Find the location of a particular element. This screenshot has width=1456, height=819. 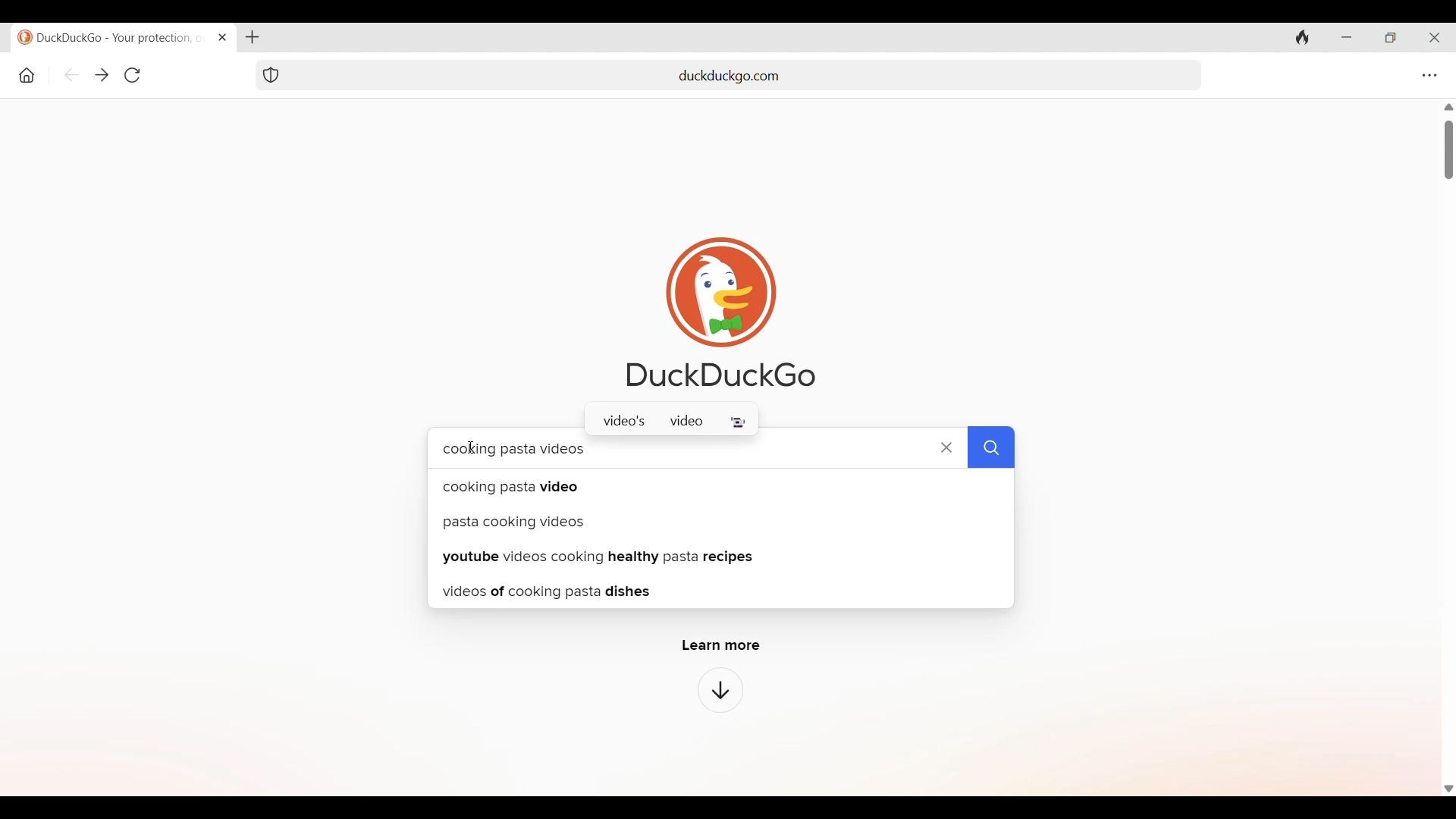

Go backward is located at coordinates (72, 75).